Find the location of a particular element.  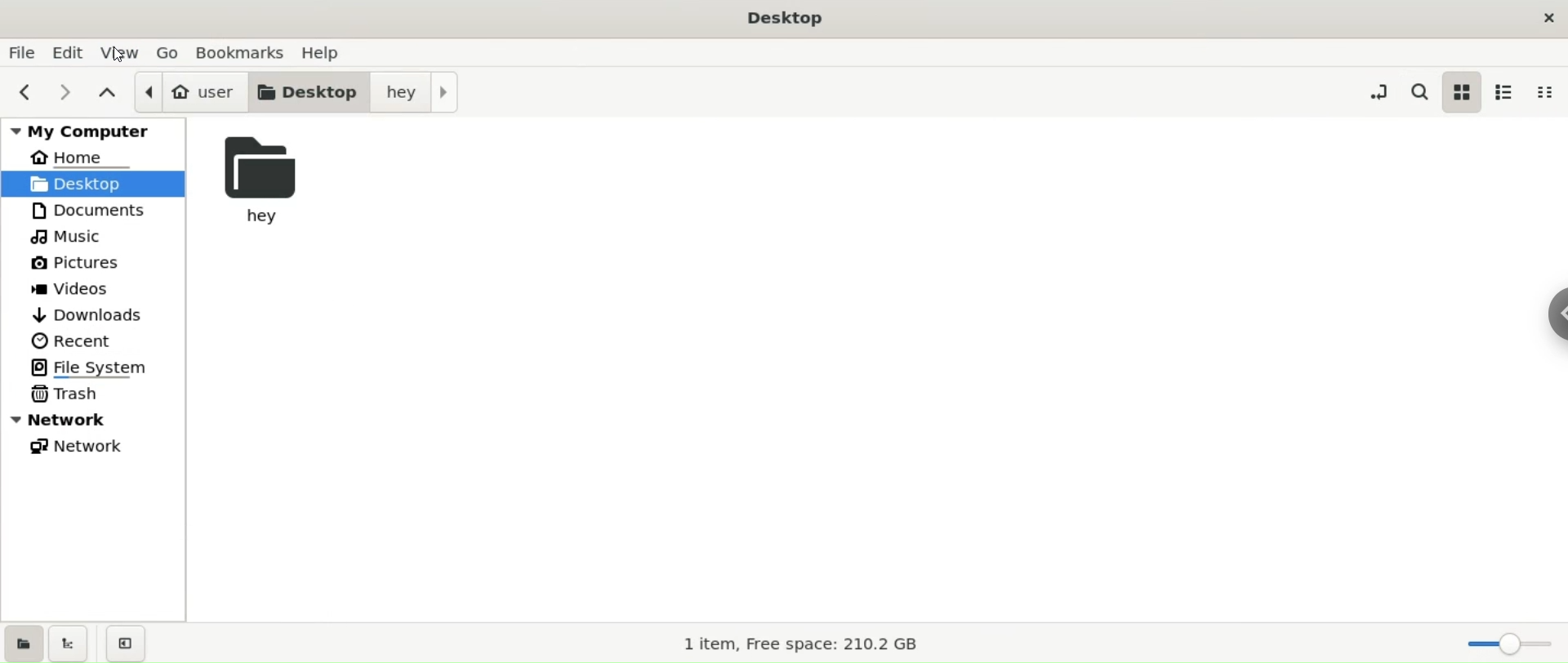

go is located at coordinates (169, 52).